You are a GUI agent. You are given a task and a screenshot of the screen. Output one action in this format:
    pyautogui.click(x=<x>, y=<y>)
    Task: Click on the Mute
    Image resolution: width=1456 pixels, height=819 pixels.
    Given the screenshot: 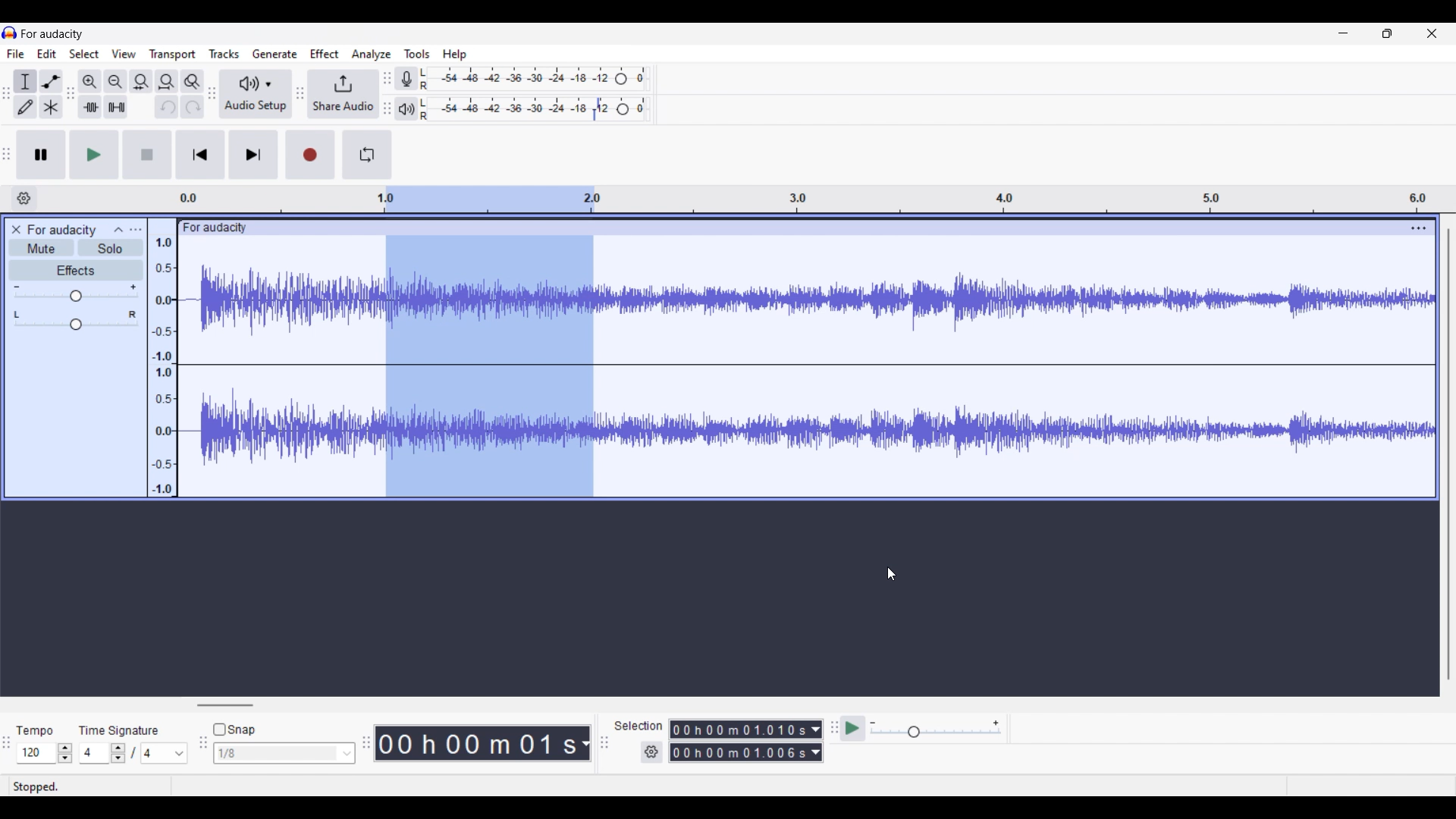 What is the action you would take?
    pyautogui.click(x=42, y=248)
    